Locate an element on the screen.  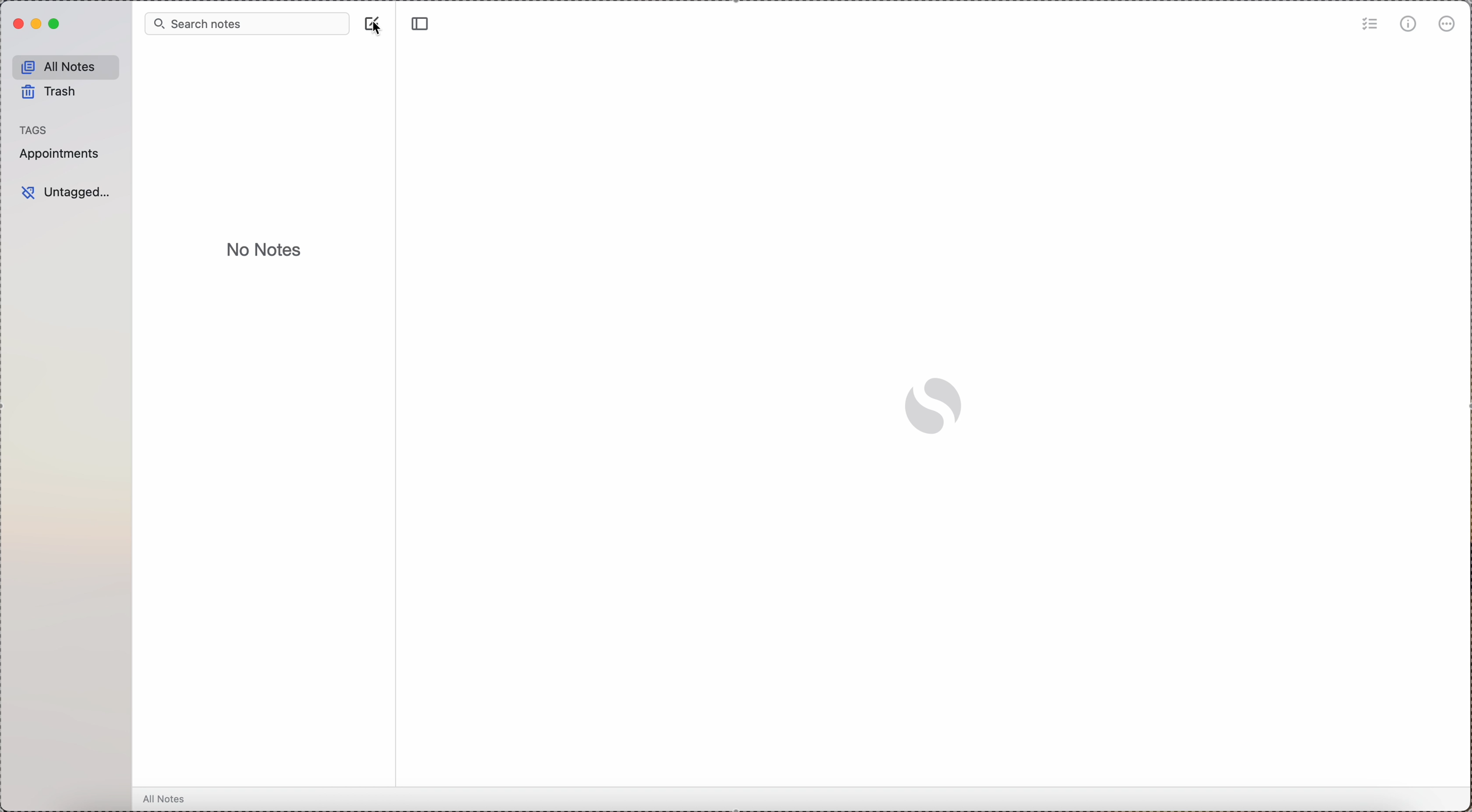
toggle sidebar is located at coordinates (421, 25).